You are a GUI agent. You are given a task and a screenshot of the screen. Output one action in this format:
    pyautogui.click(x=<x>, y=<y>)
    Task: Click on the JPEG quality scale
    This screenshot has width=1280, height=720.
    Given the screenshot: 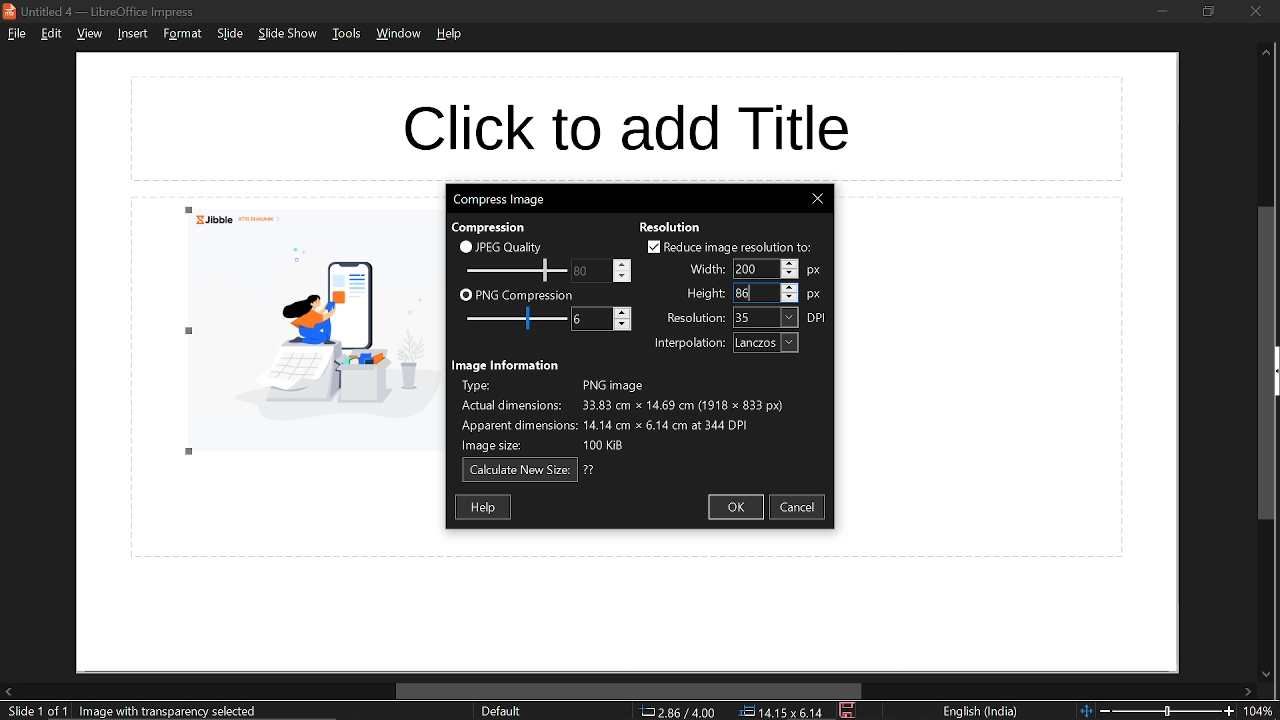 What is the action you would take?
    pyautogui.click(x=518, y=320)
    